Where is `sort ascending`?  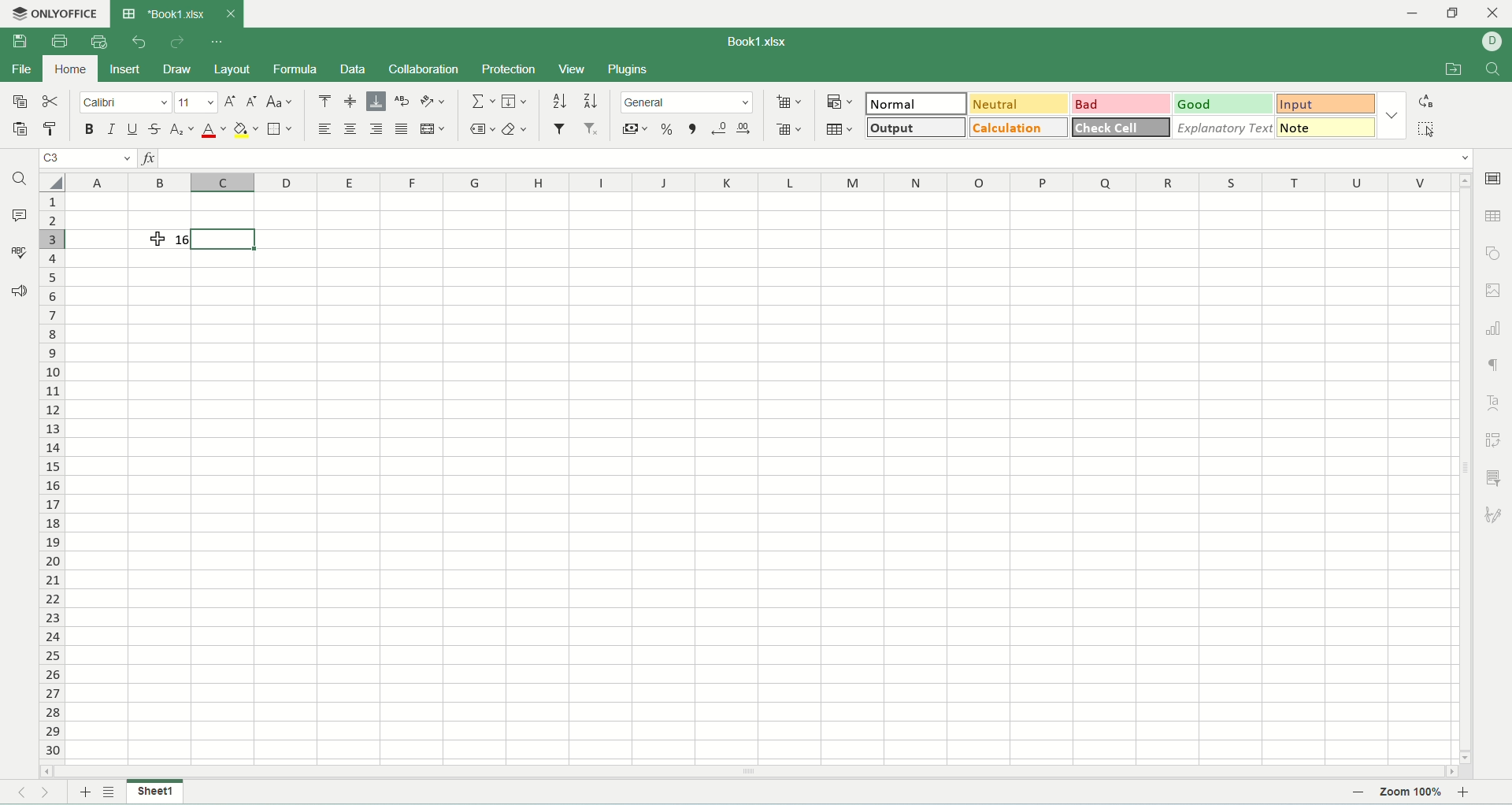 sort ascending is located at coordinates (561, 99).